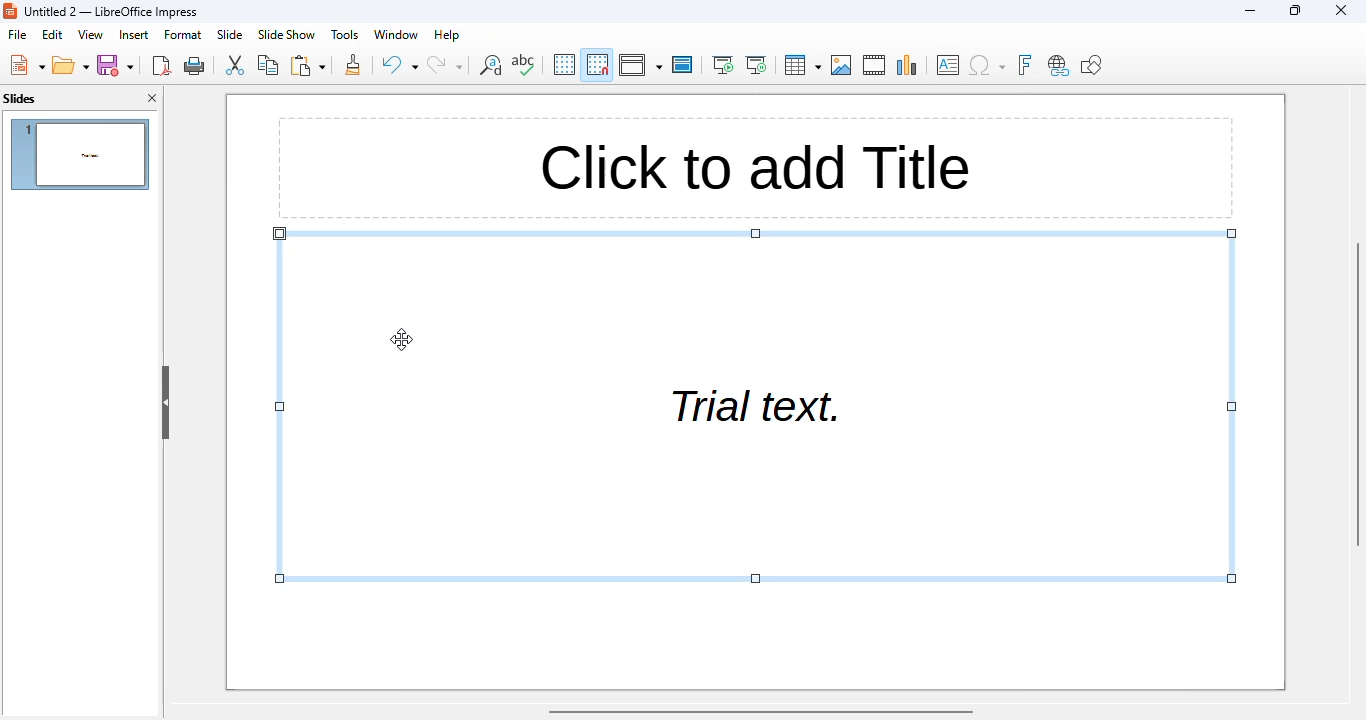 Image resolution: width=1366 pixels, height=720 pixels. I want to click on insert, so click(132, 34).